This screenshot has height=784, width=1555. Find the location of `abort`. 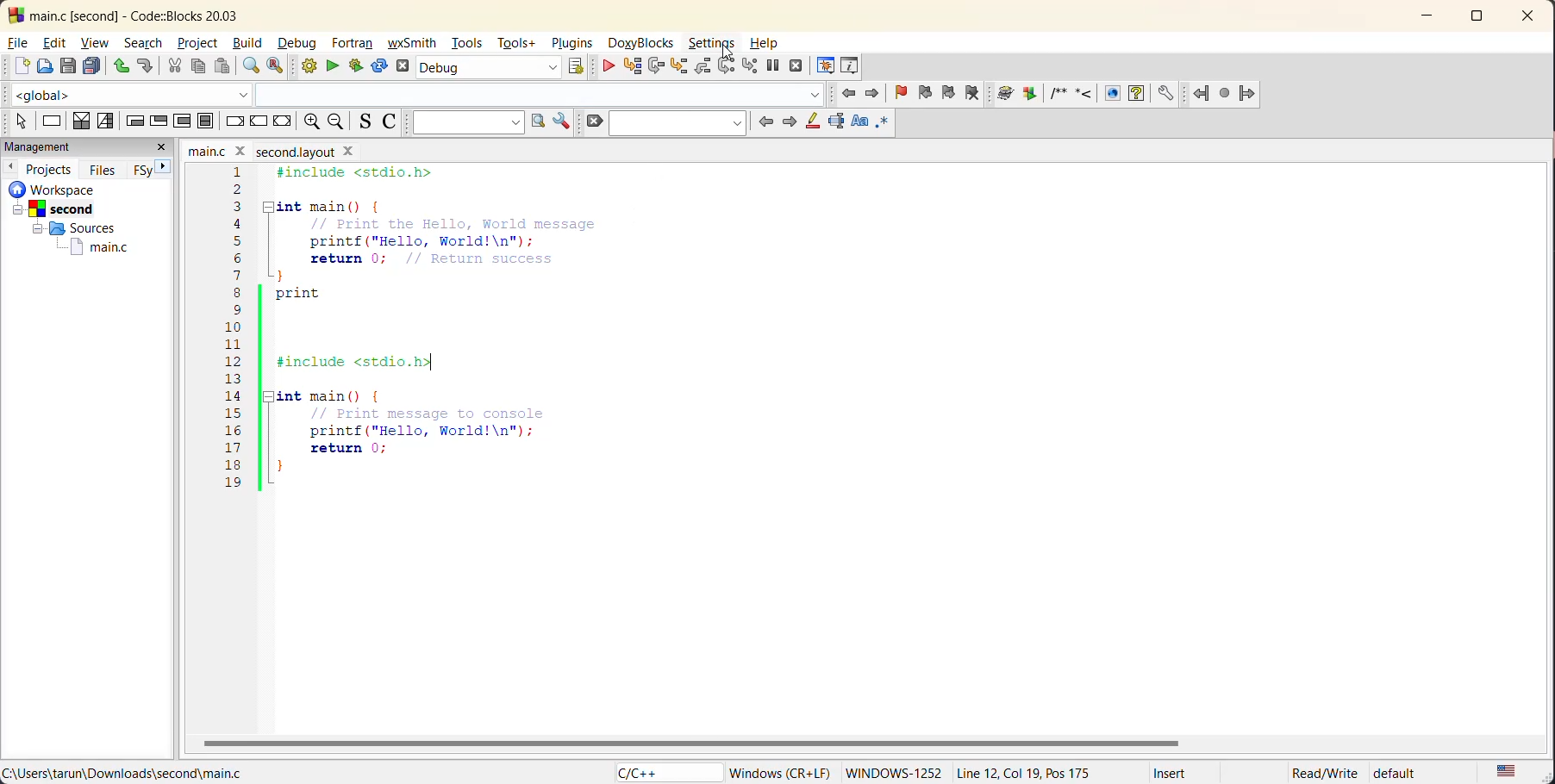

abort is located at coordinates (403, 65).